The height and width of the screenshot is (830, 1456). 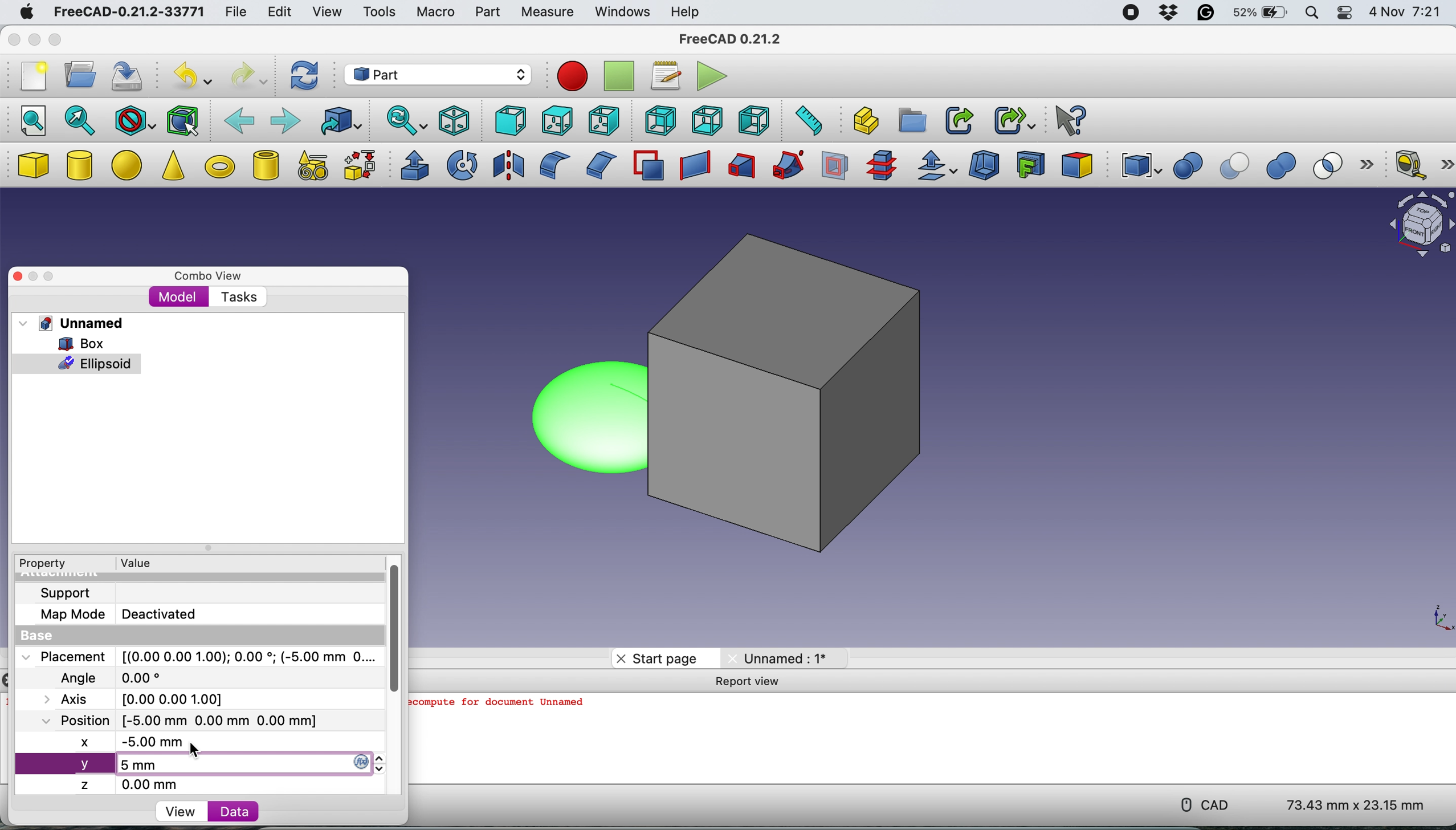 What do you see at coordinates (76, 75) in the screenshot?
I see `open` at bounding box center [76, 75].